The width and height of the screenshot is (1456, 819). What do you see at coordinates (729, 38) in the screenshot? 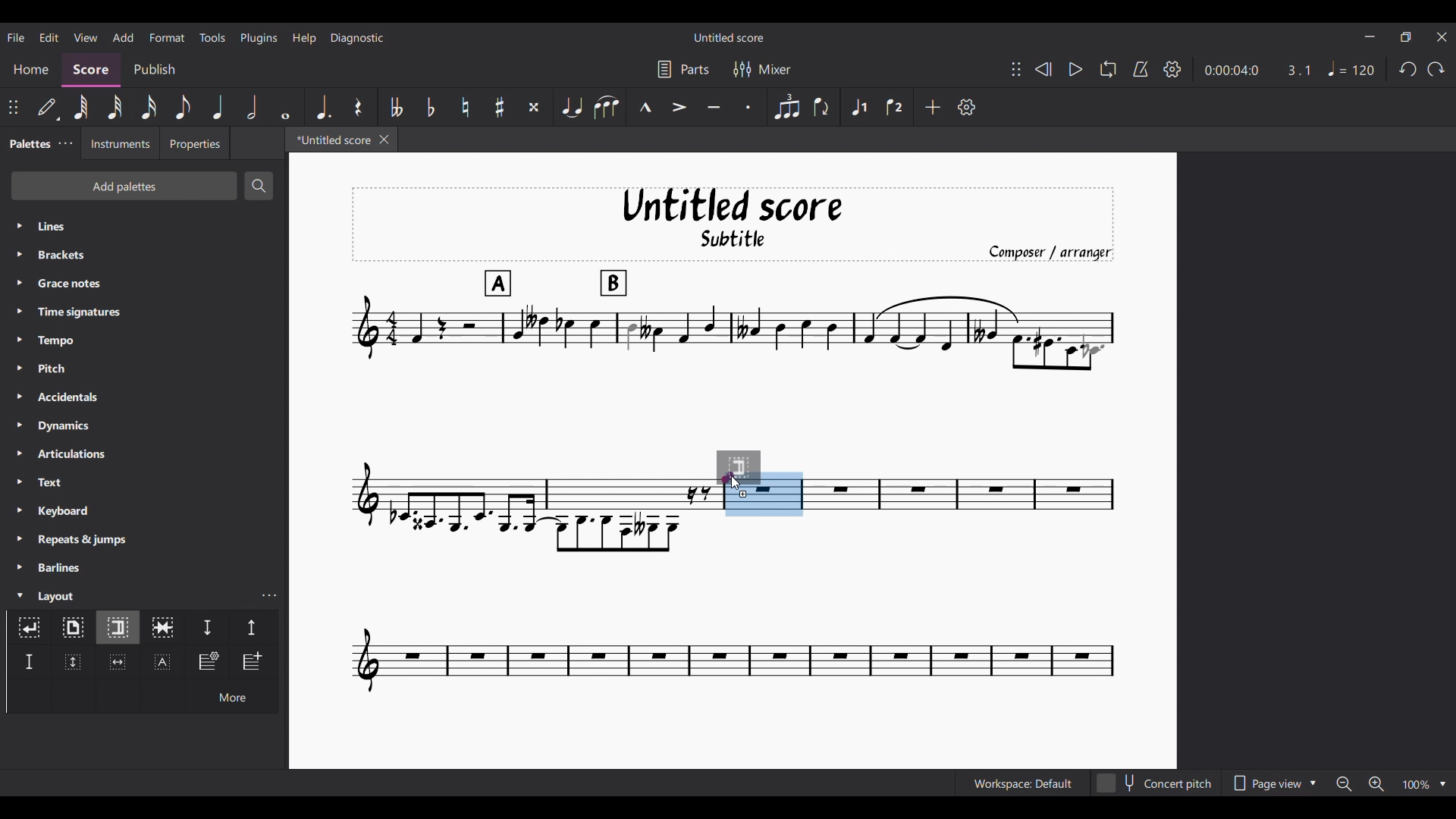
I see `Untitled score` at bounding box center [729, 38].